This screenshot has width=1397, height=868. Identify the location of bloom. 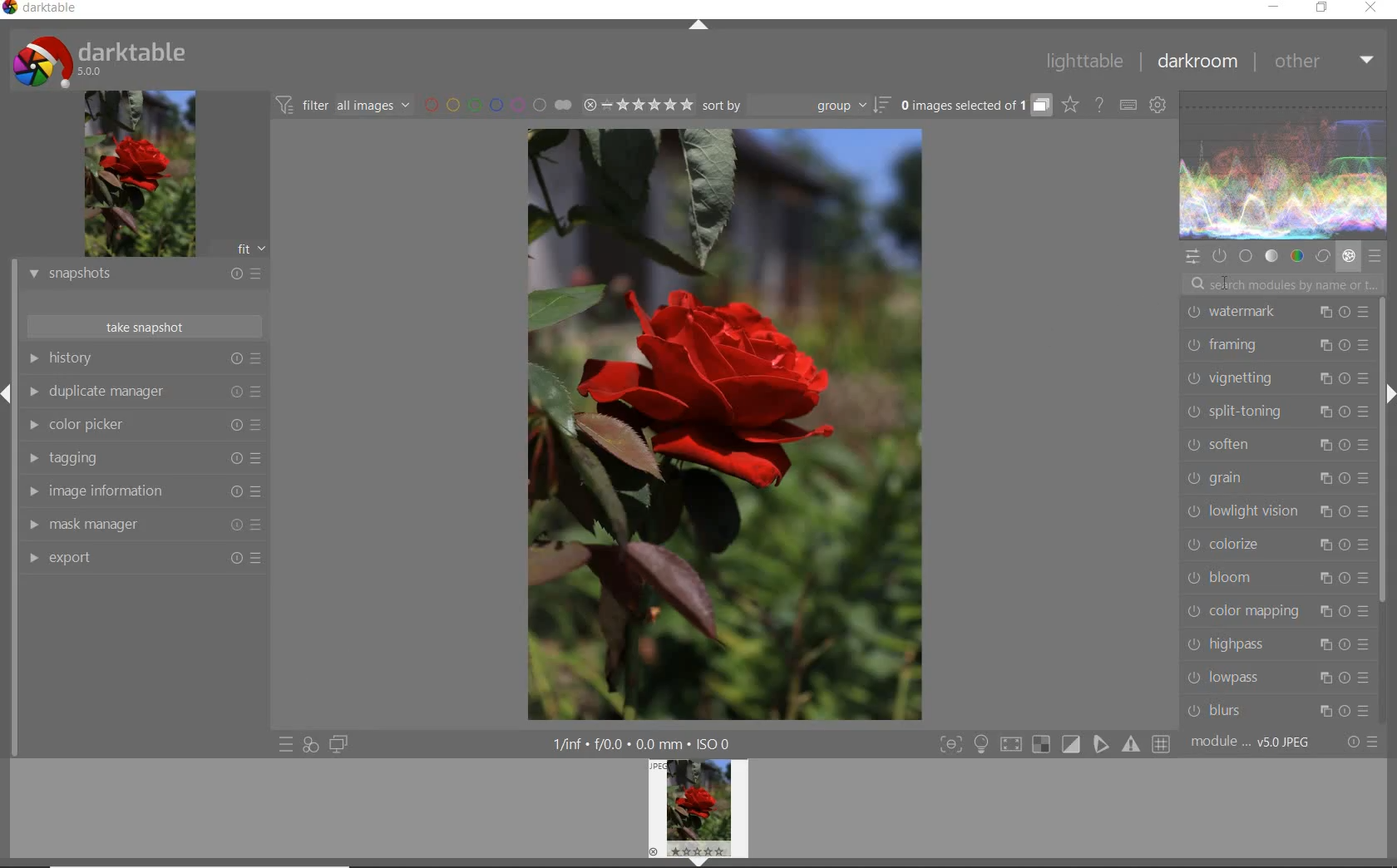
(1276, 578).